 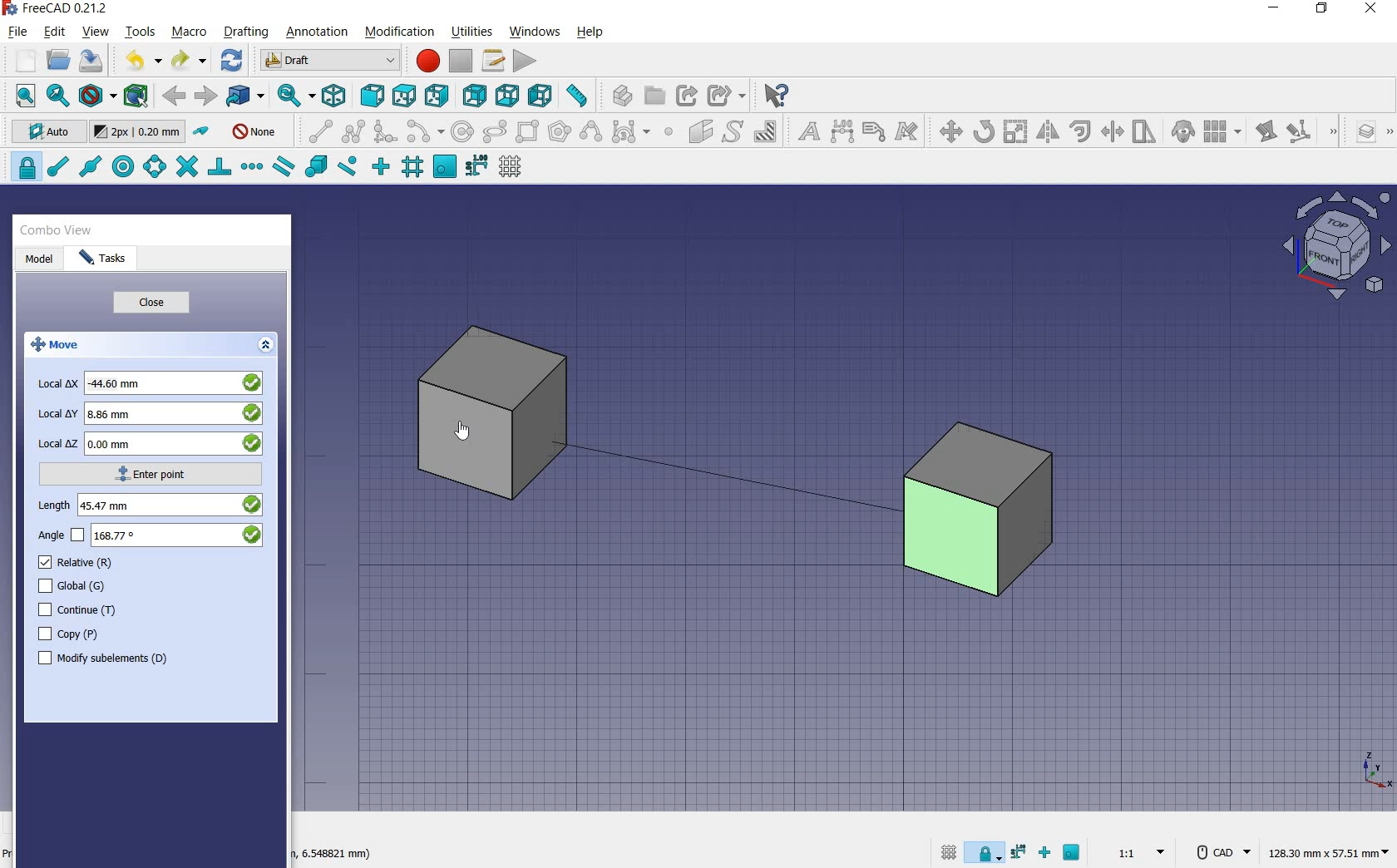 What do you see at coordinates (252, 167) in the screenshot?
I see `snap extension` at bounding box center [252, 167].